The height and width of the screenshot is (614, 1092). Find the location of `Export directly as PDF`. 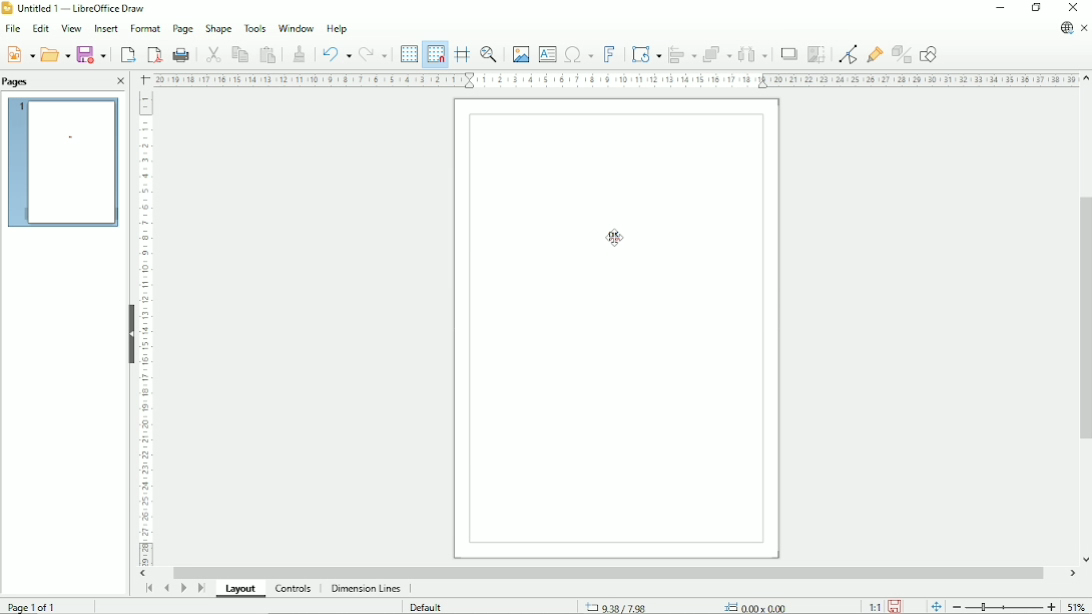

Export directly as PDF is located at coordinates (152, 54).